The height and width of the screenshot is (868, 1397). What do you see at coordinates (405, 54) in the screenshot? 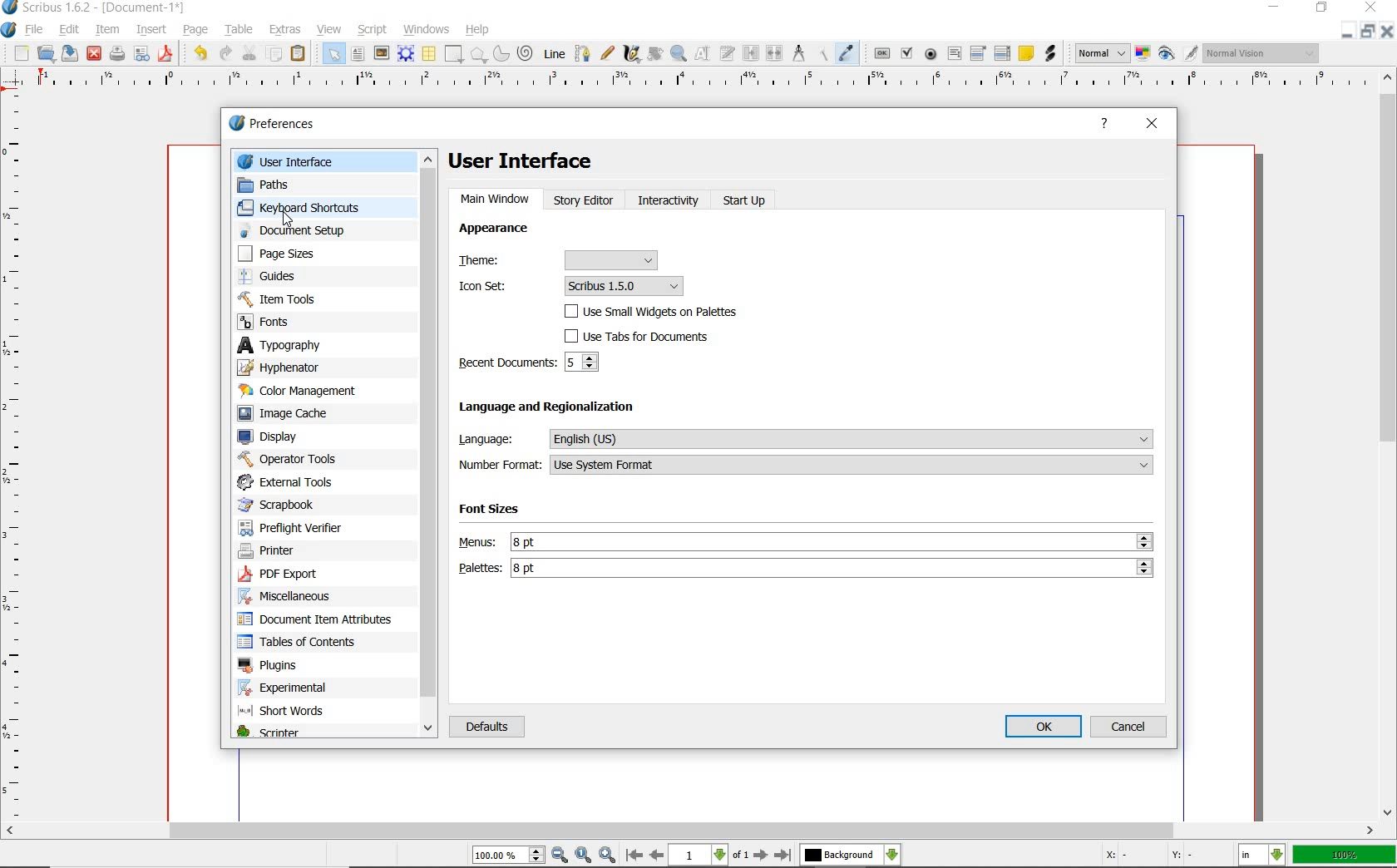
I see `render frame` at bounding box center [405, 54].